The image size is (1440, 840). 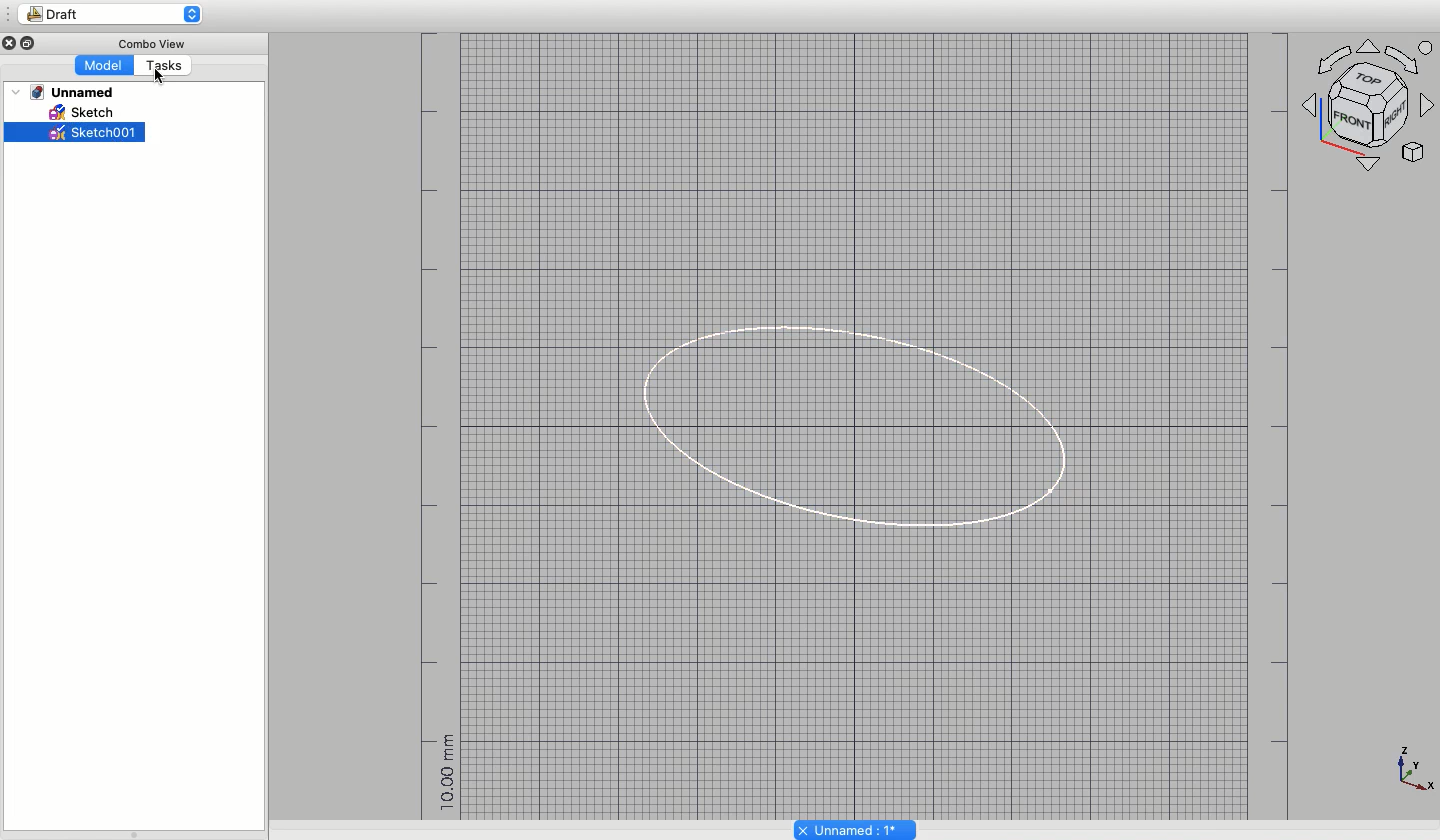 I want to click on Sketch001, so click(x=74, y=135).